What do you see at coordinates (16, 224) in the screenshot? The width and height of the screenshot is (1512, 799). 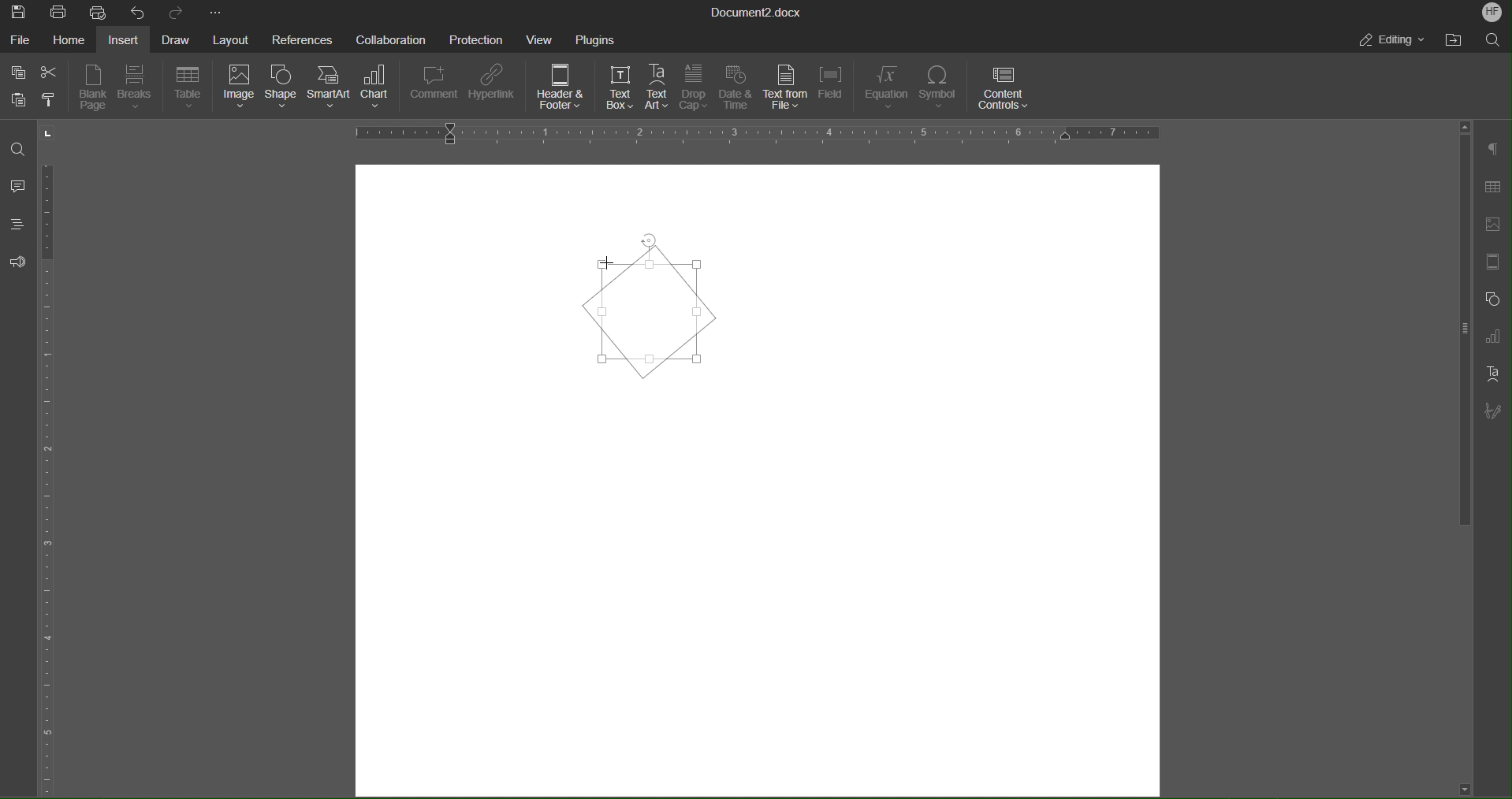 I see `Headings` at bounding box center [16, 224].